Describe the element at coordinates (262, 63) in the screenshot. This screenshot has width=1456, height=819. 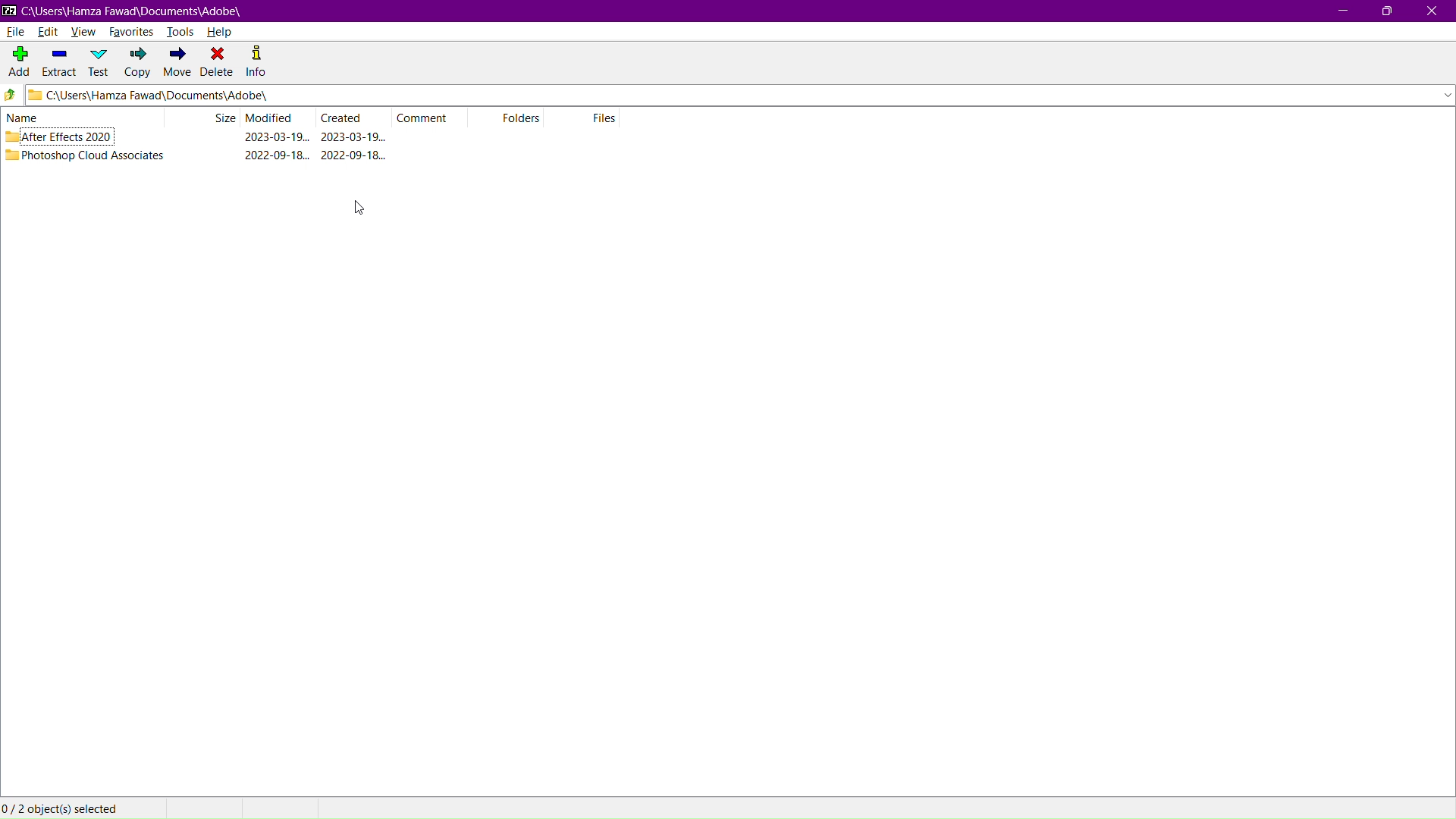
I see `Info` at that location.